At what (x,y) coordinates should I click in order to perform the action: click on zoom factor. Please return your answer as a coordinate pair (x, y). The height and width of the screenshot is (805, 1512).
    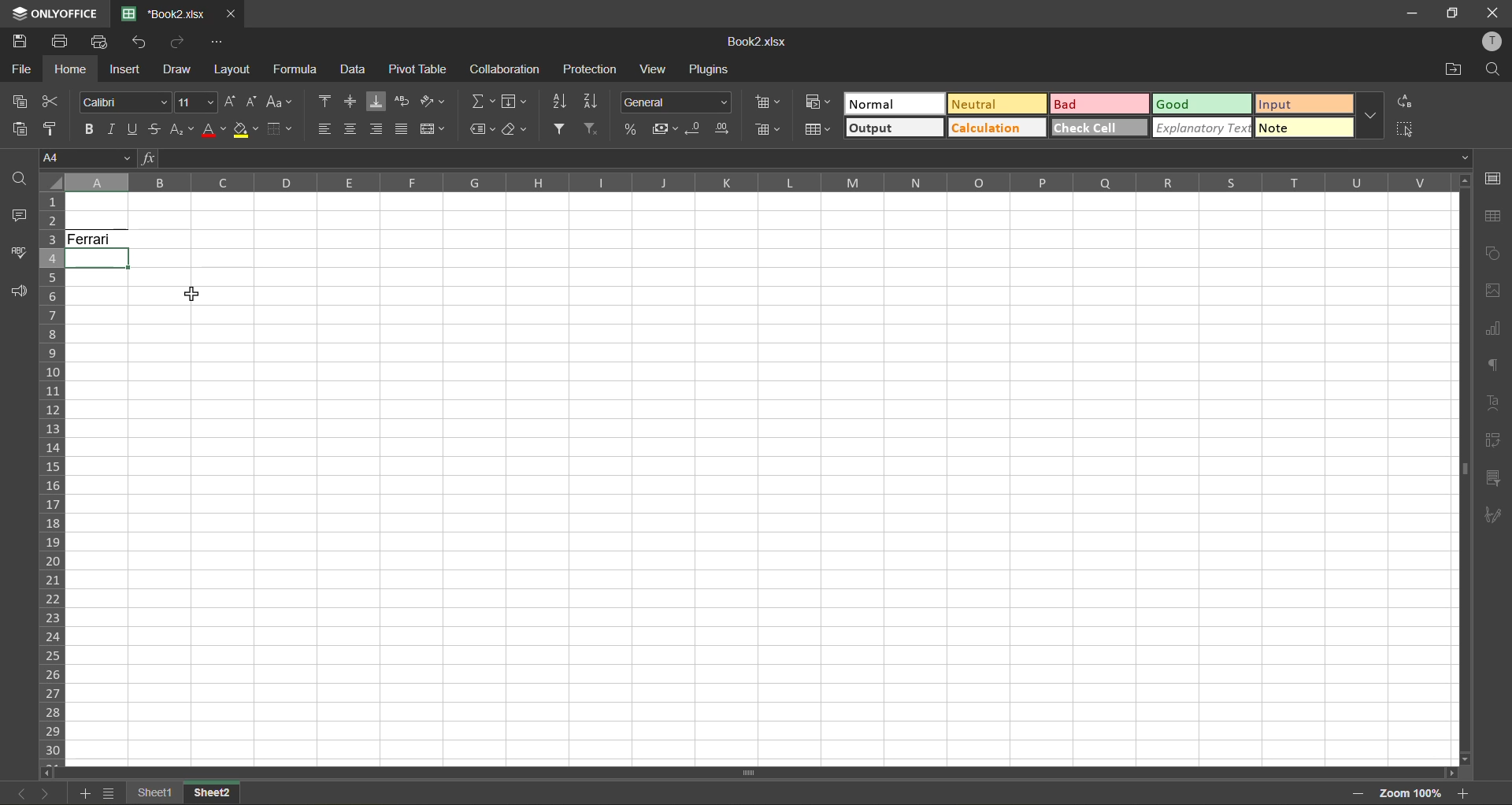
    Looking at the image, I should click on (1412, 794).